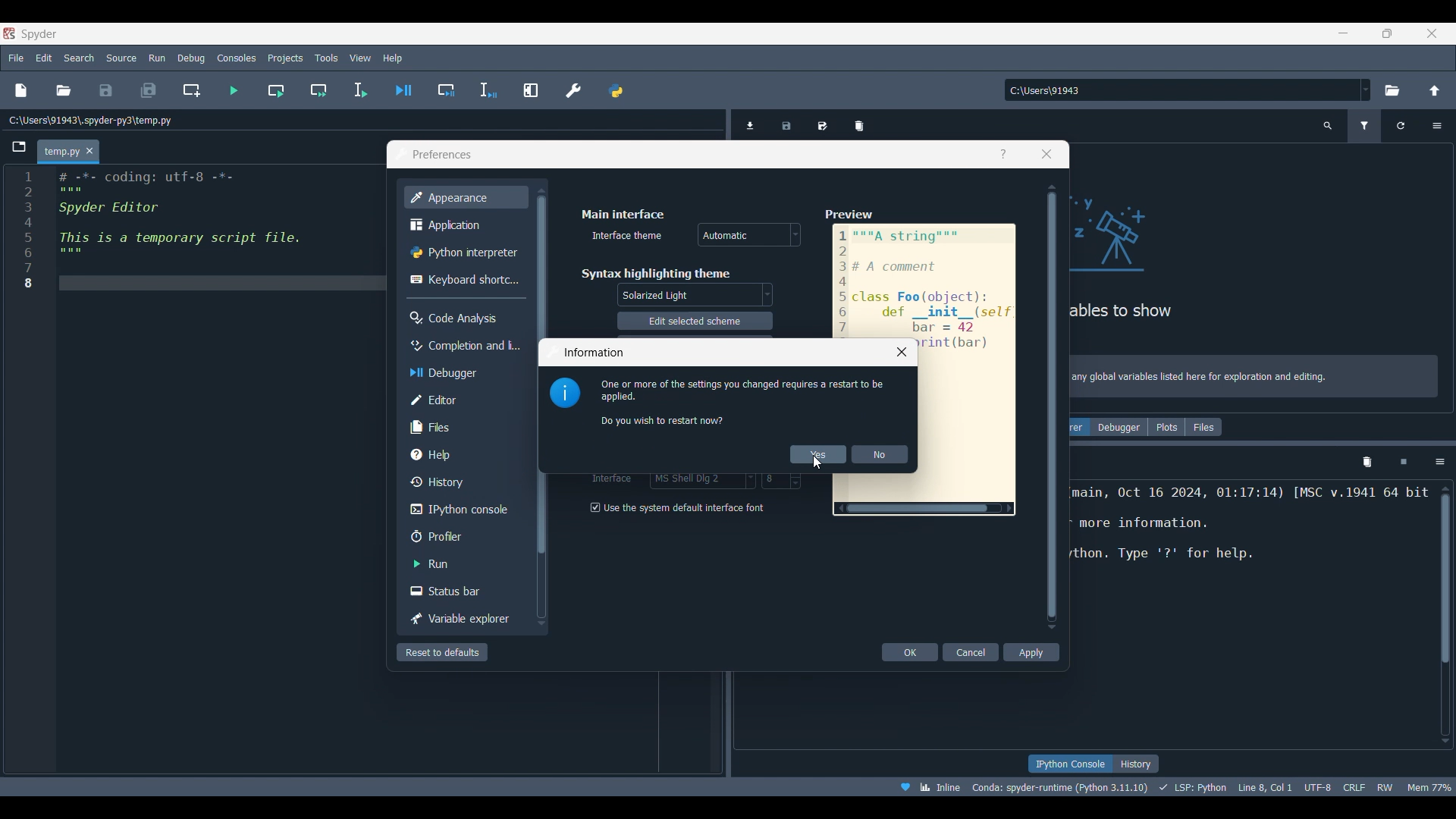  Describe the element at coordinates (1435, 90) in the screenshot. I see `Change to parent directory` at that location.